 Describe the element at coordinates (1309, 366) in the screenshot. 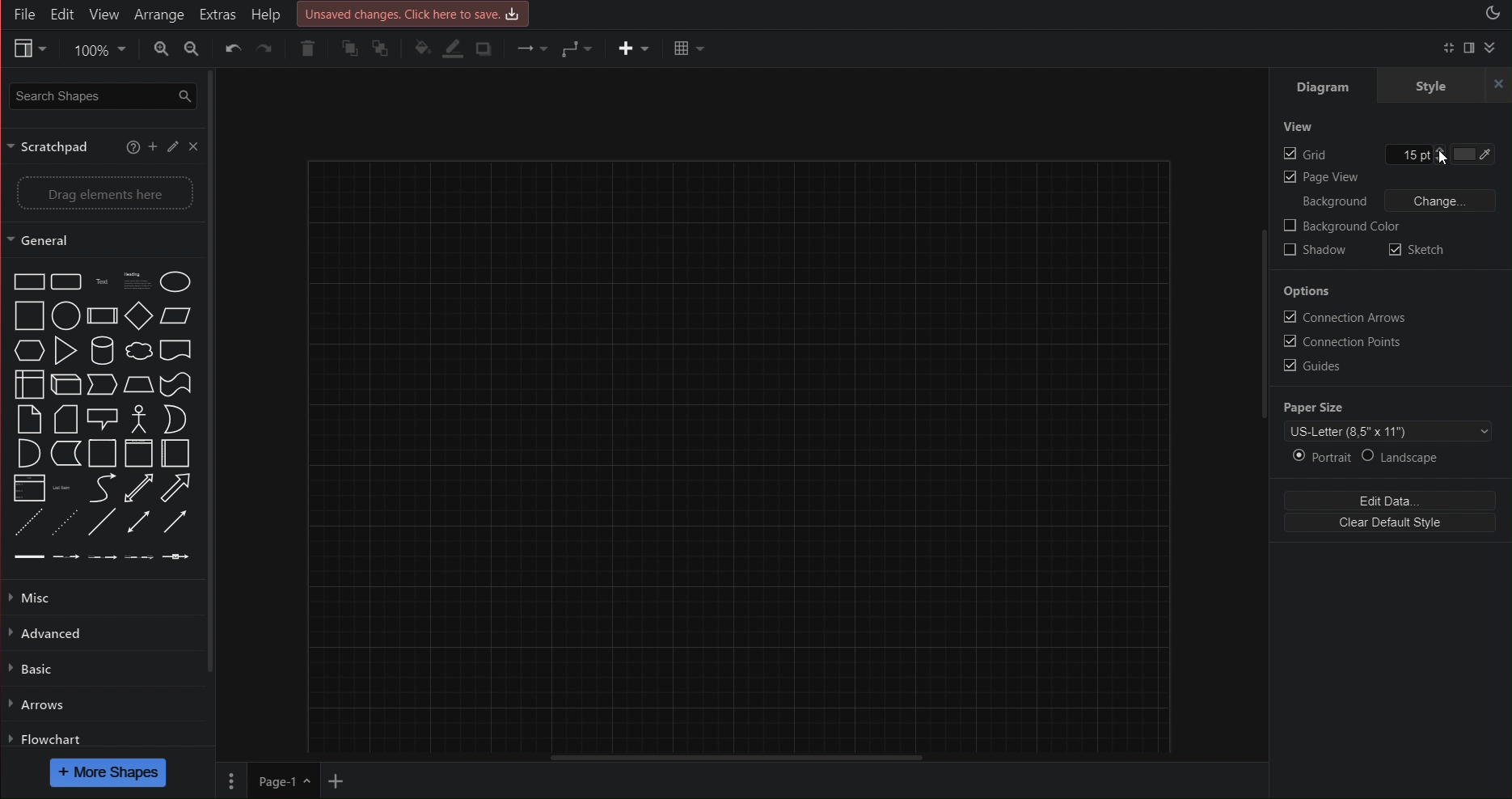

I see `Guides` at that location.